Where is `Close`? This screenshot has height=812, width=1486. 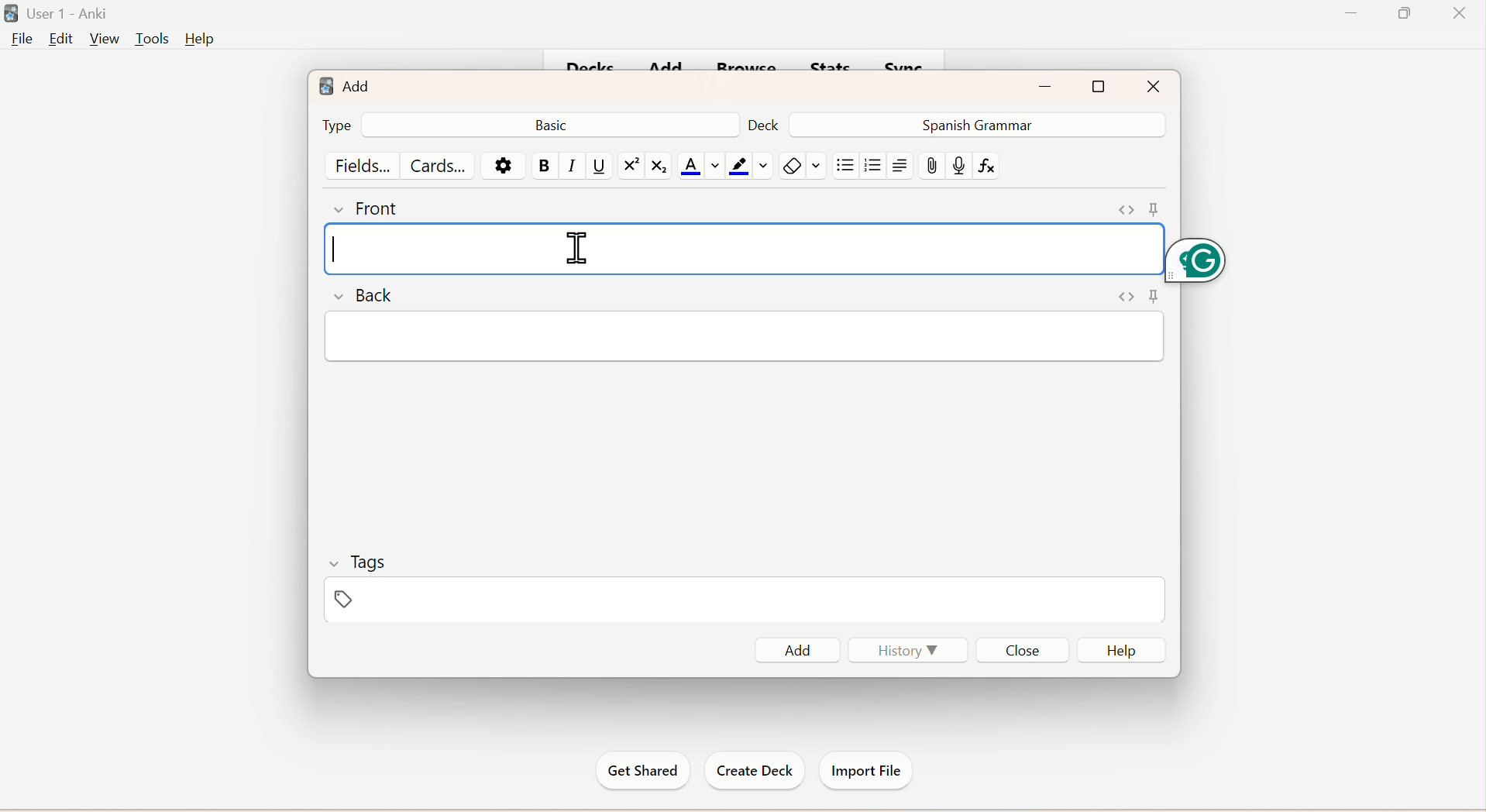
Close is located at coordinates (1021, 649).